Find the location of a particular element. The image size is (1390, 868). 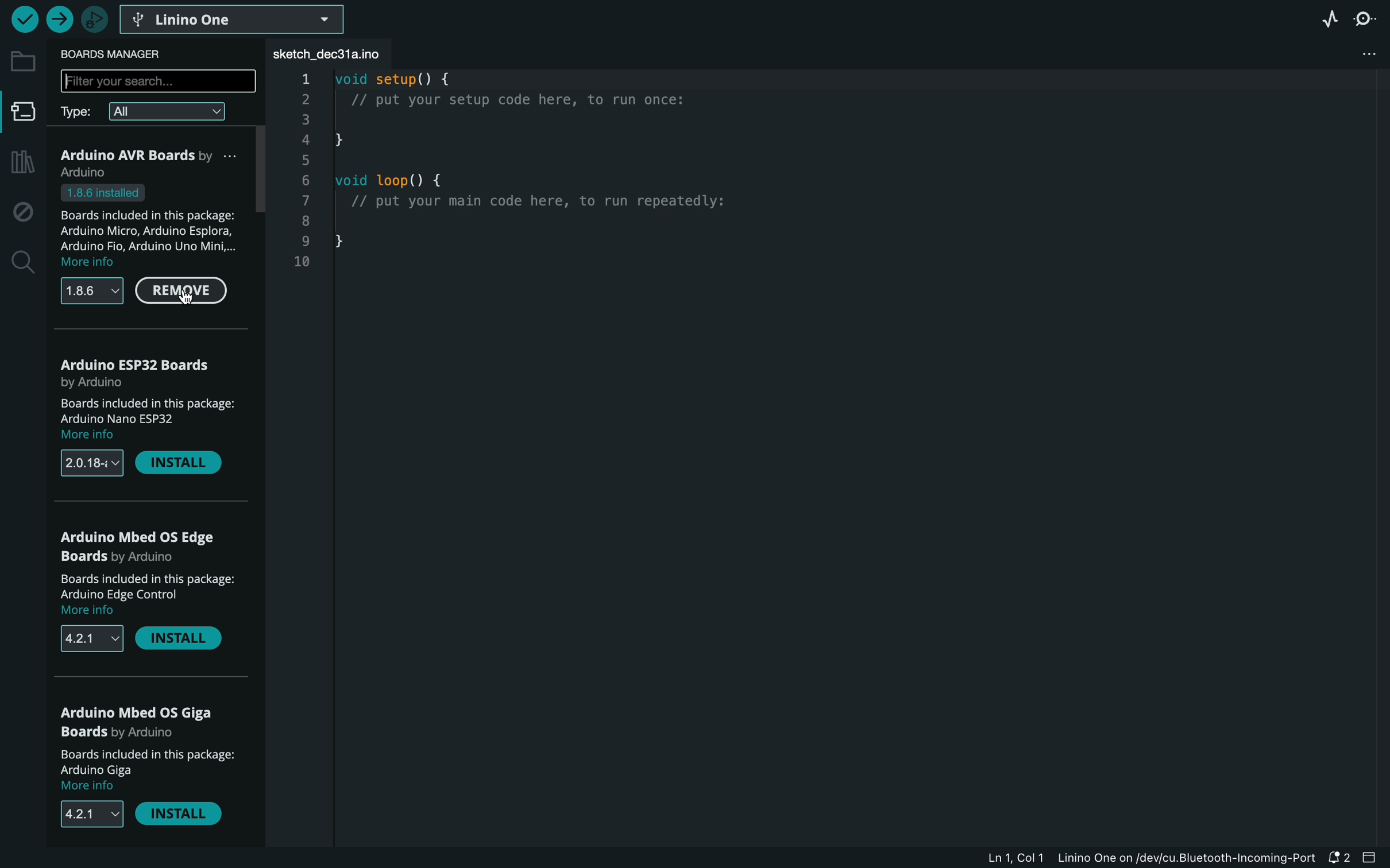

file tab is located at coordinates (362, 53).